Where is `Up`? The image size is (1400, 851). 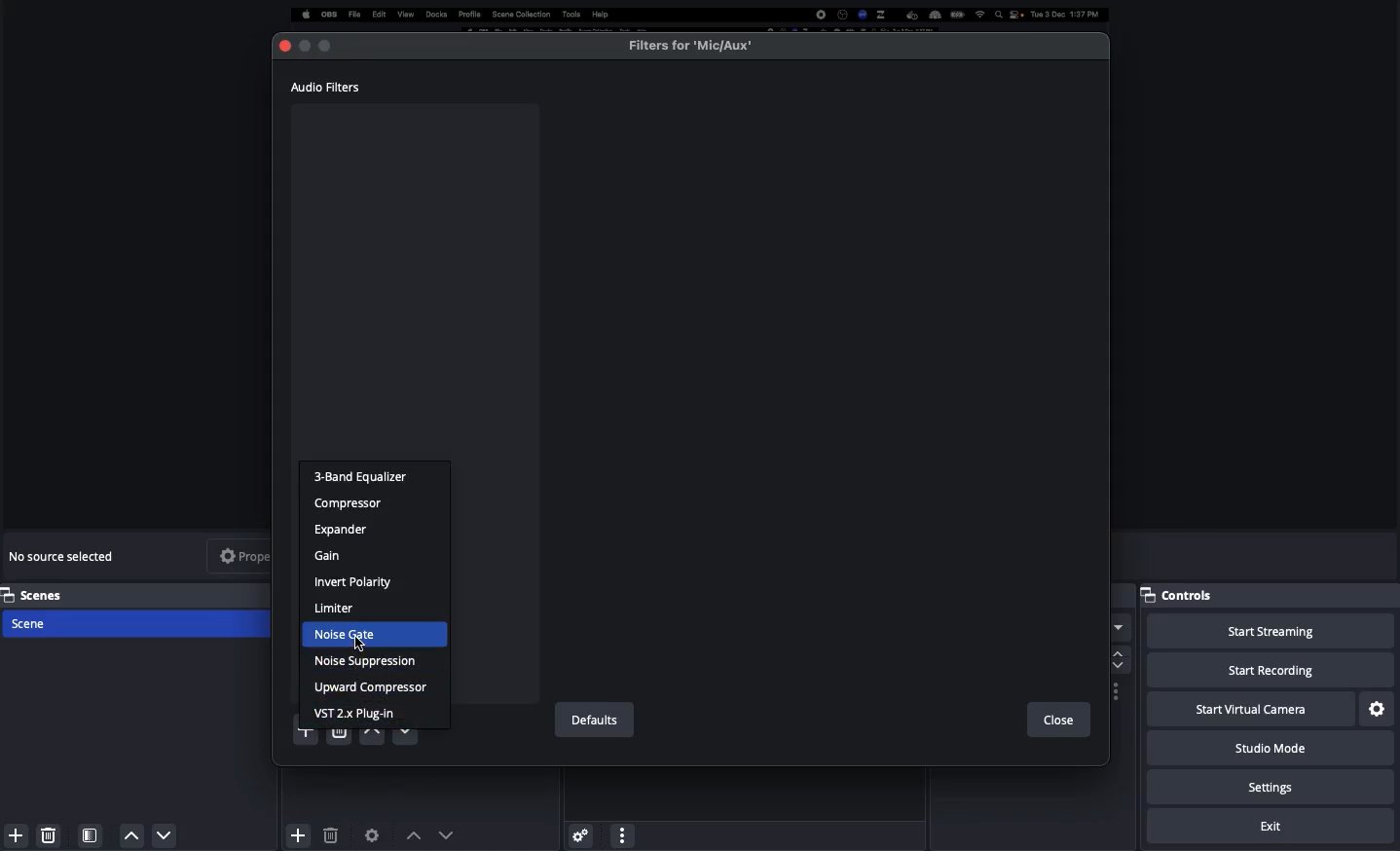 Up is located at coordinates (370, 738).